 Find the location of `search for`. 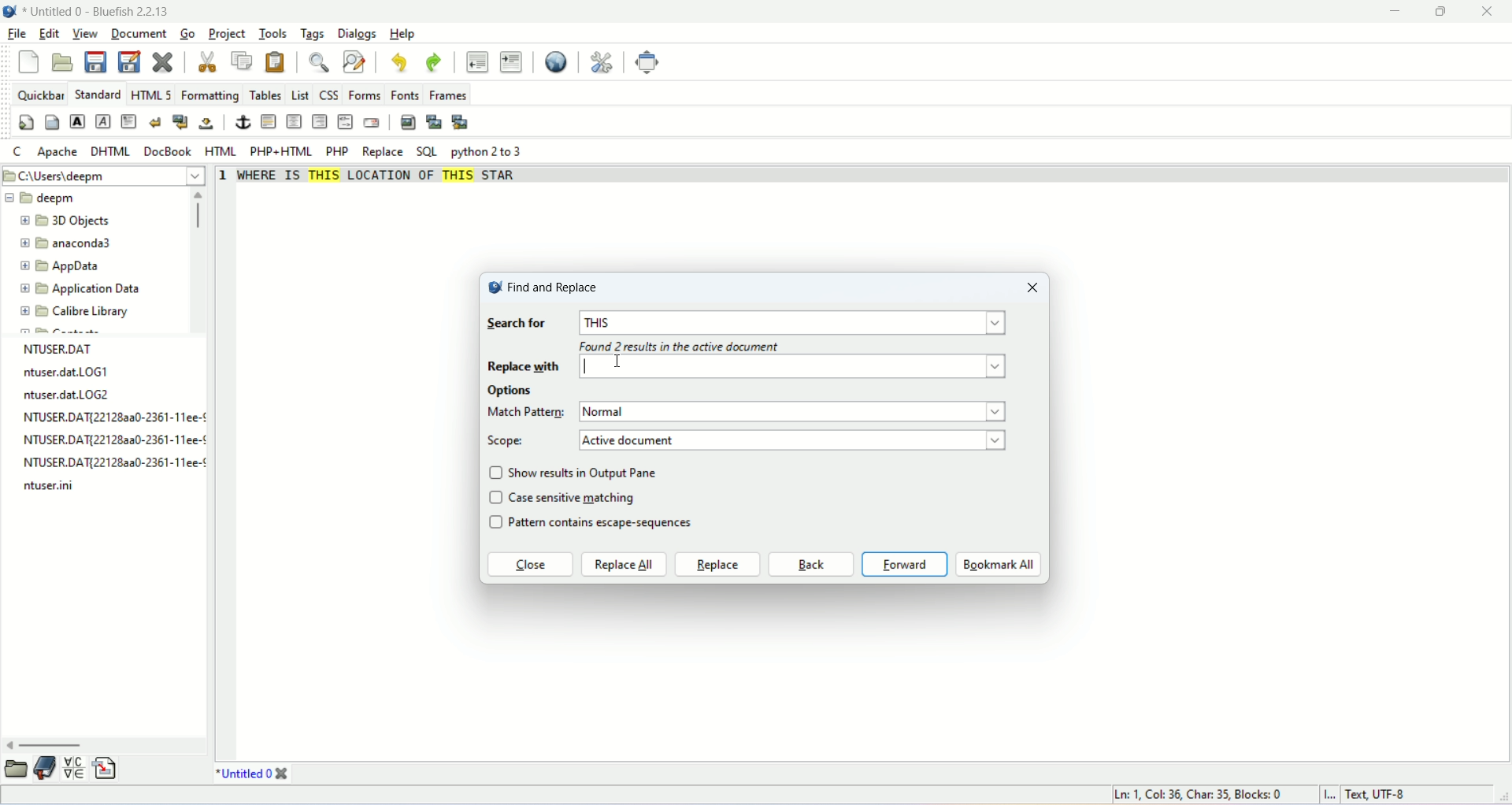

search for is located at coordinates (796, 324).